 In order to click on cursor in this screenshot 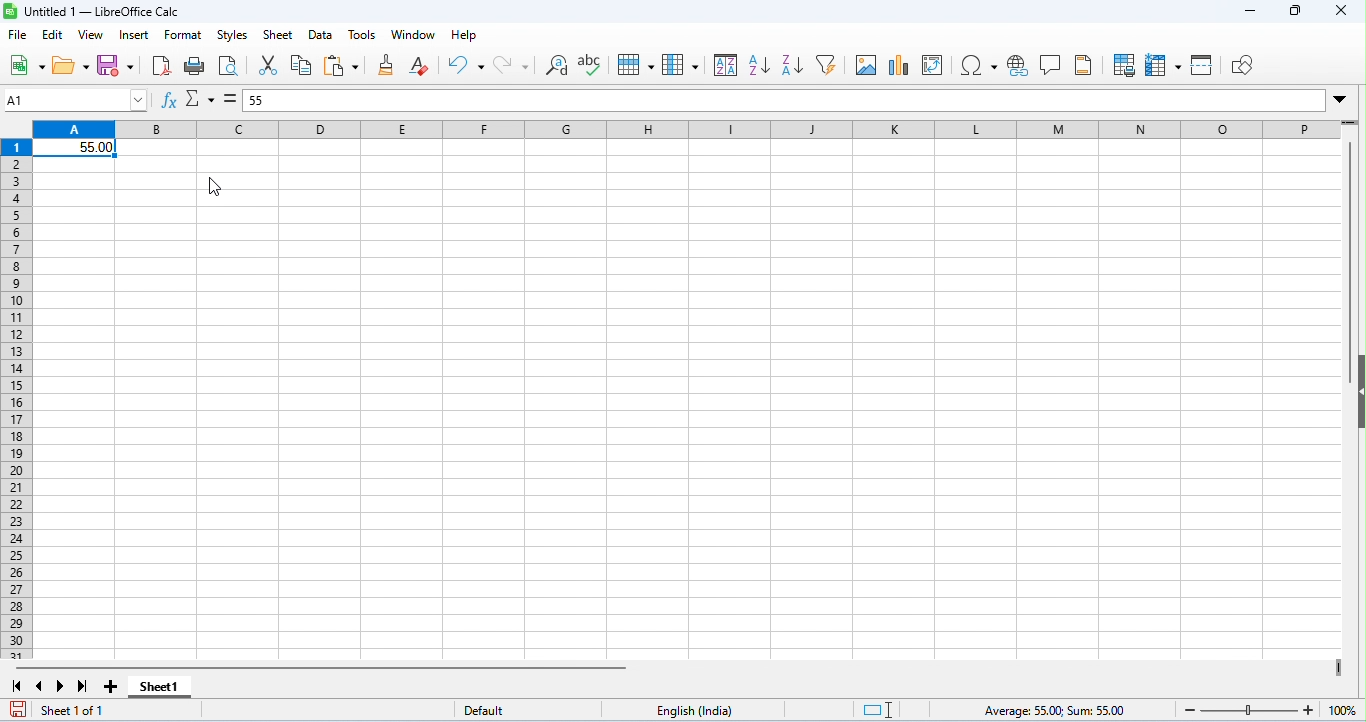, I will do `click(216, 189)`.